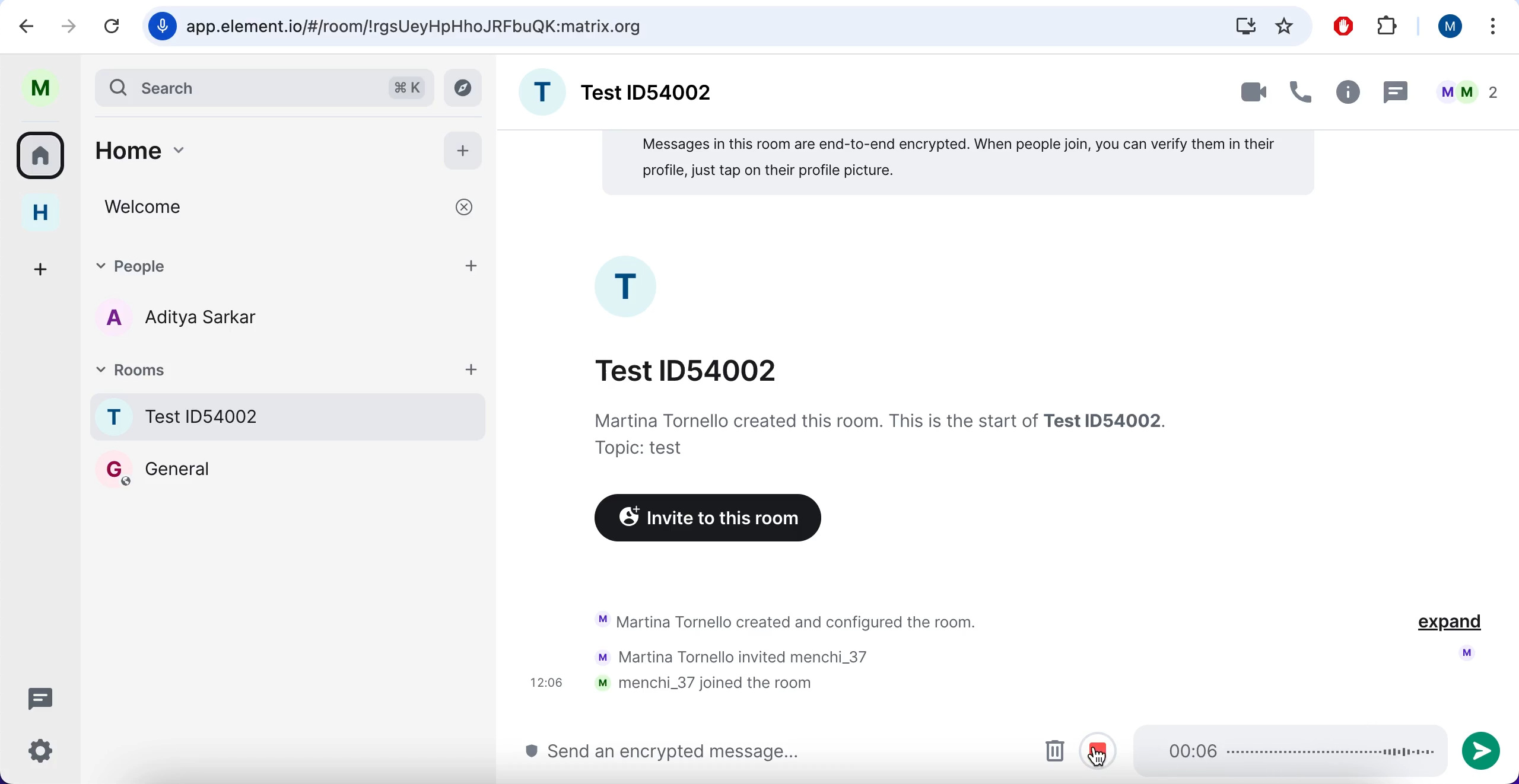 The width and height of the screenshot is (1519, 784). What do you see at coordinates (42, 160) in the screenshot?
I see `all rooms` at bounding box center [42, 160].